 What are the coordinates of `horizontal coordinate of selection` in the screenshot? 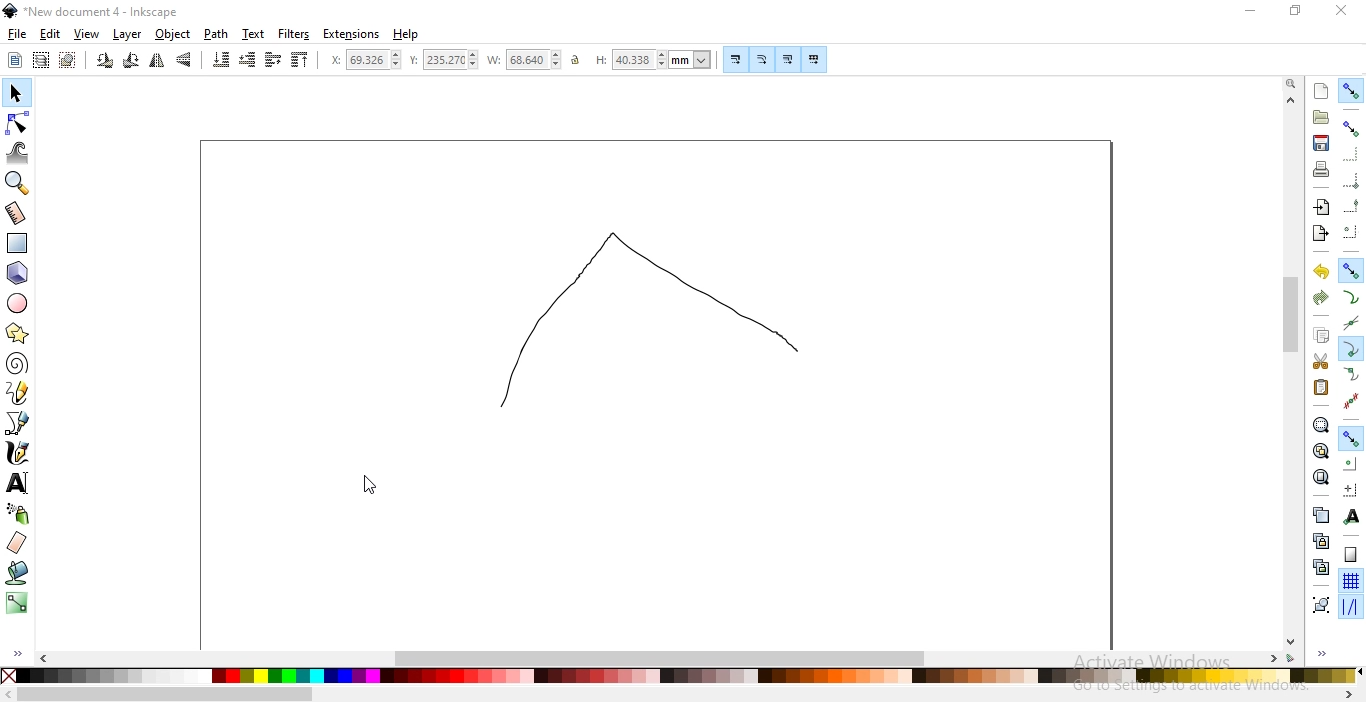 It's located at (365, 60).